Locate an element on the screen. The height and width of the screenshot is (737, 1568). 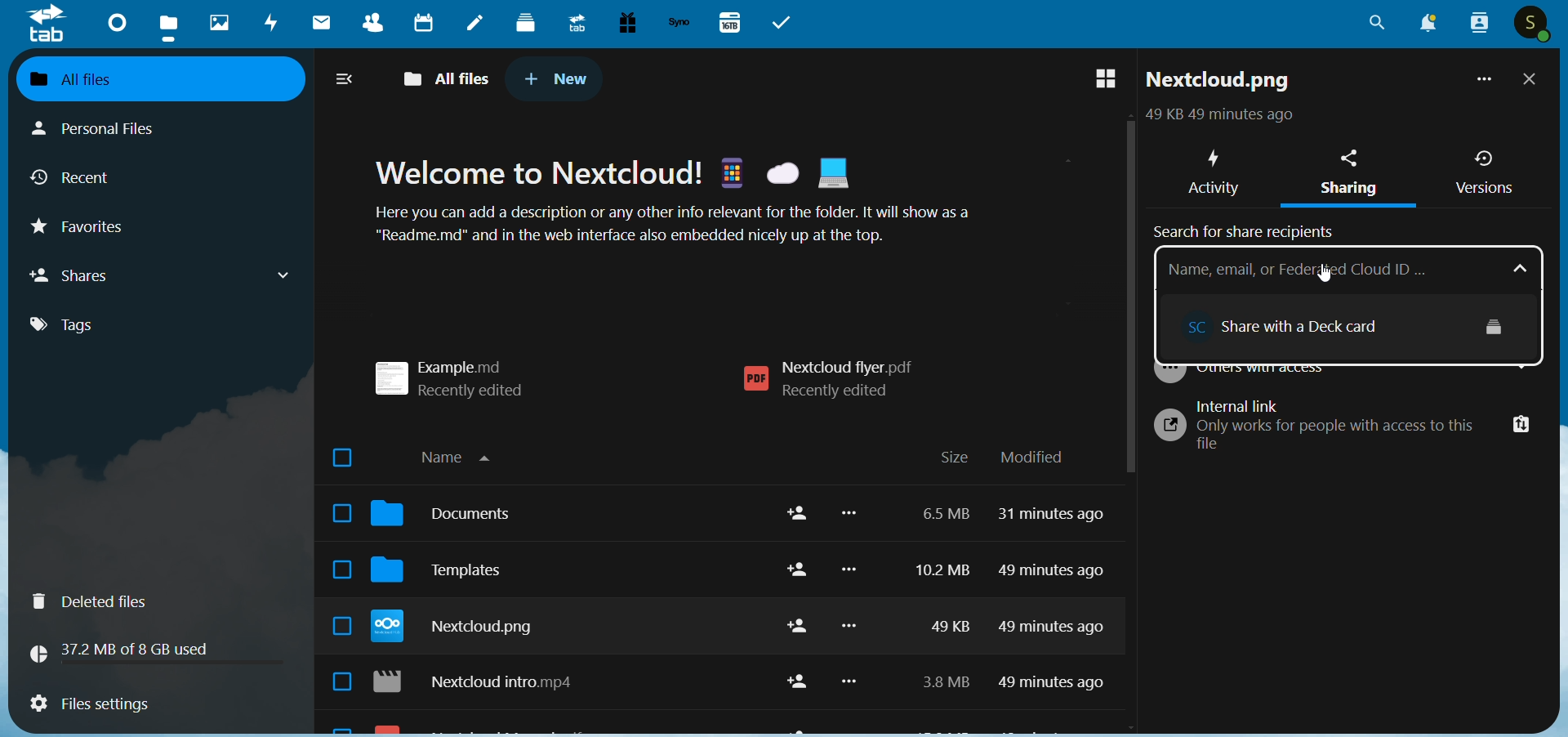
welcome text is located at coordinates (696, 205).